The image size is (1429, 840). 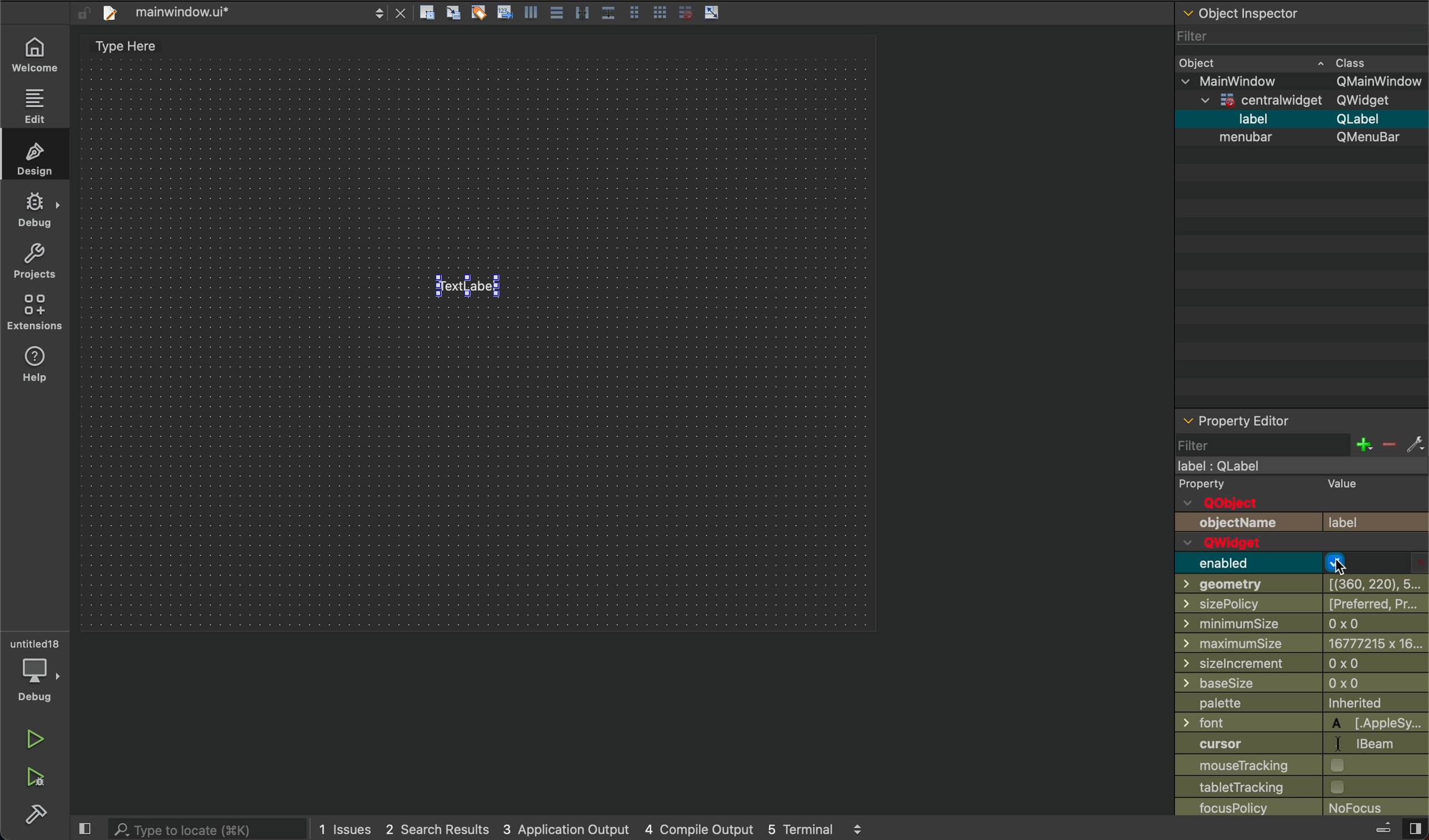 I want to click on 5 terminal, so click(x=798, y=829).